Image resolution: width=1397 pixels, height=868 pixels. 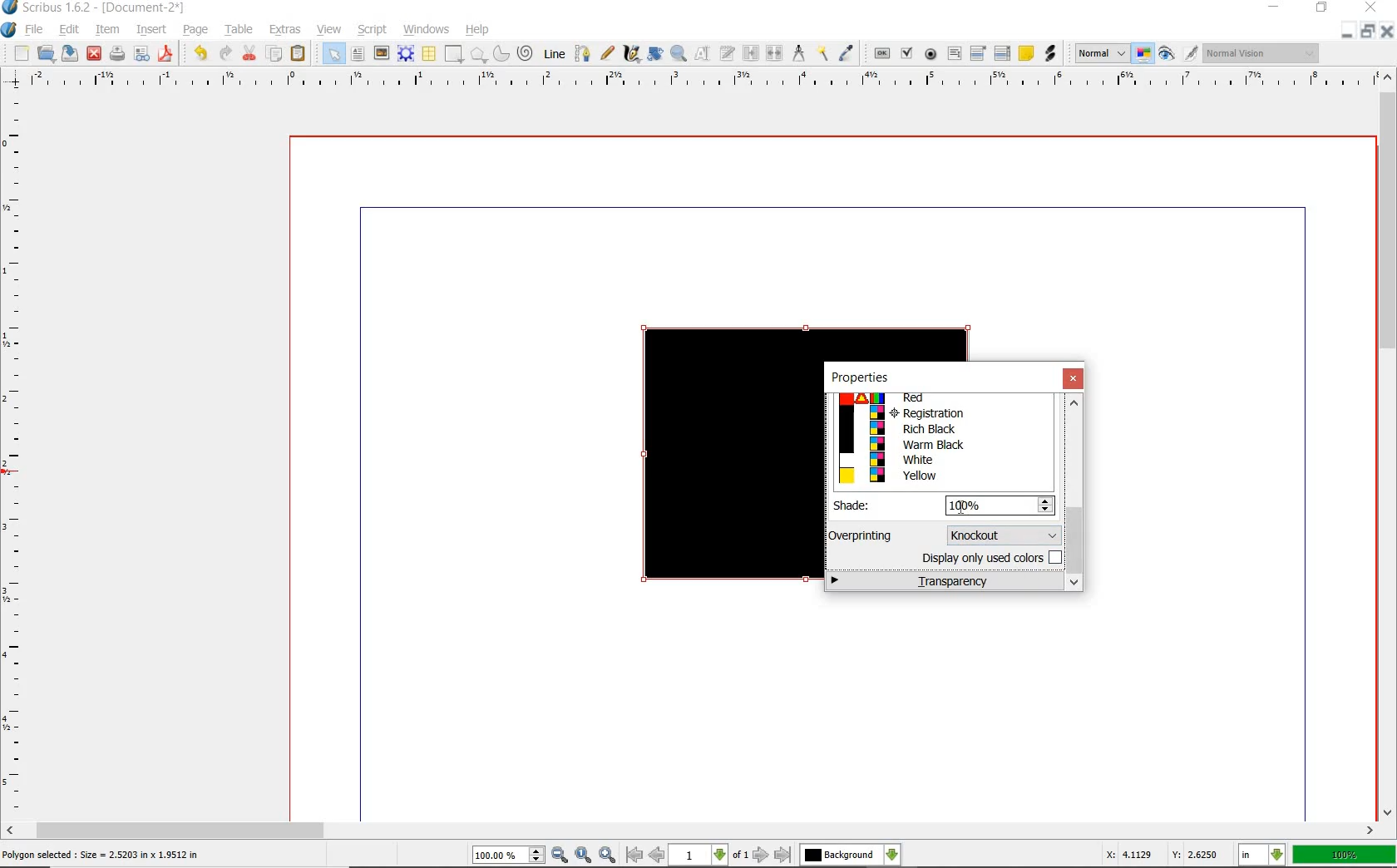 What do you see at coordinates (501, 55) in the screenshot?
I see `arc` at bounding box center [501, 55].